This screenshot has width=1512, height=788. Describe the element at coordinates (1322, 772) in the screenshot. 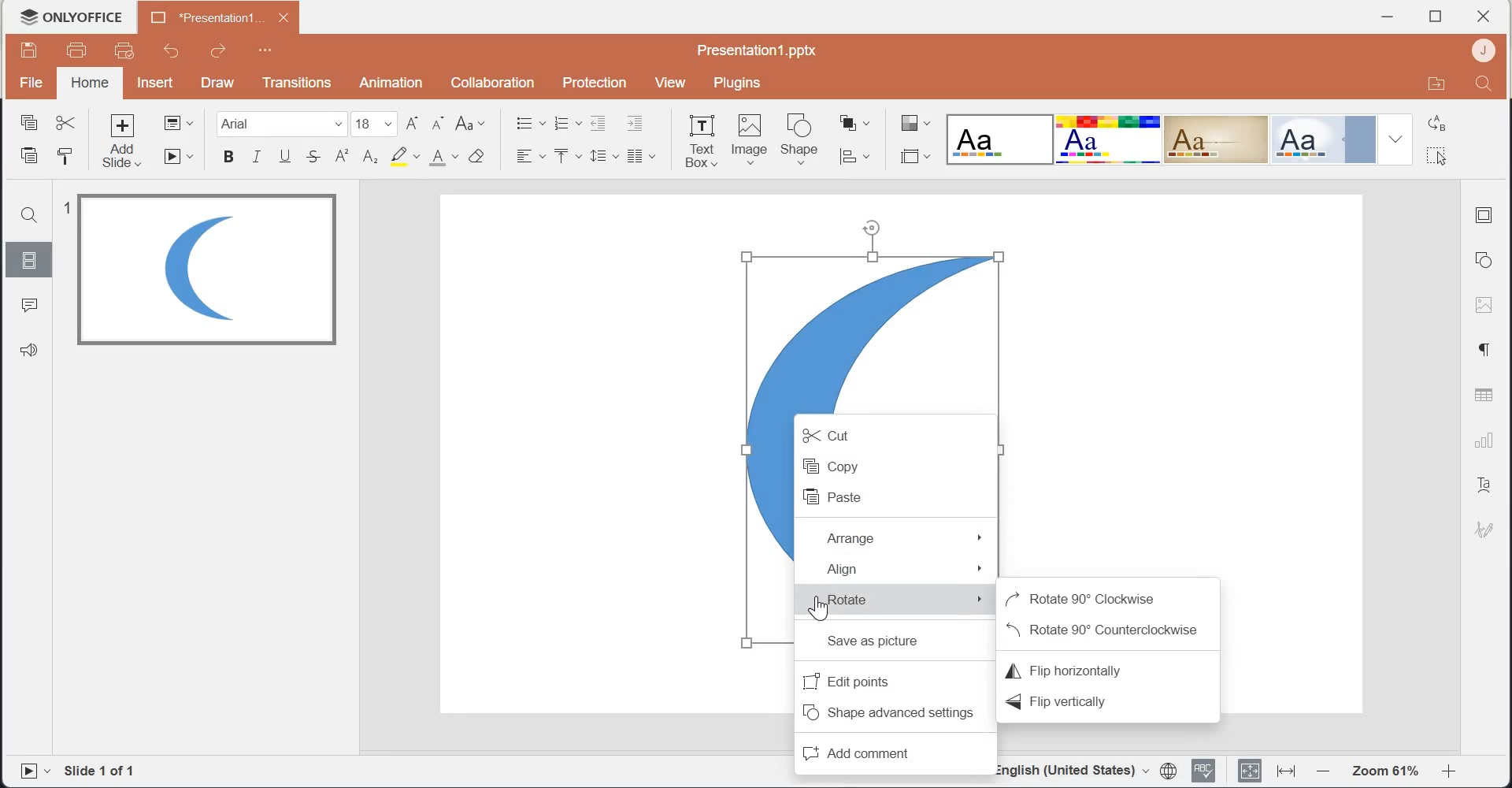

I see `Zoom out` at that location.